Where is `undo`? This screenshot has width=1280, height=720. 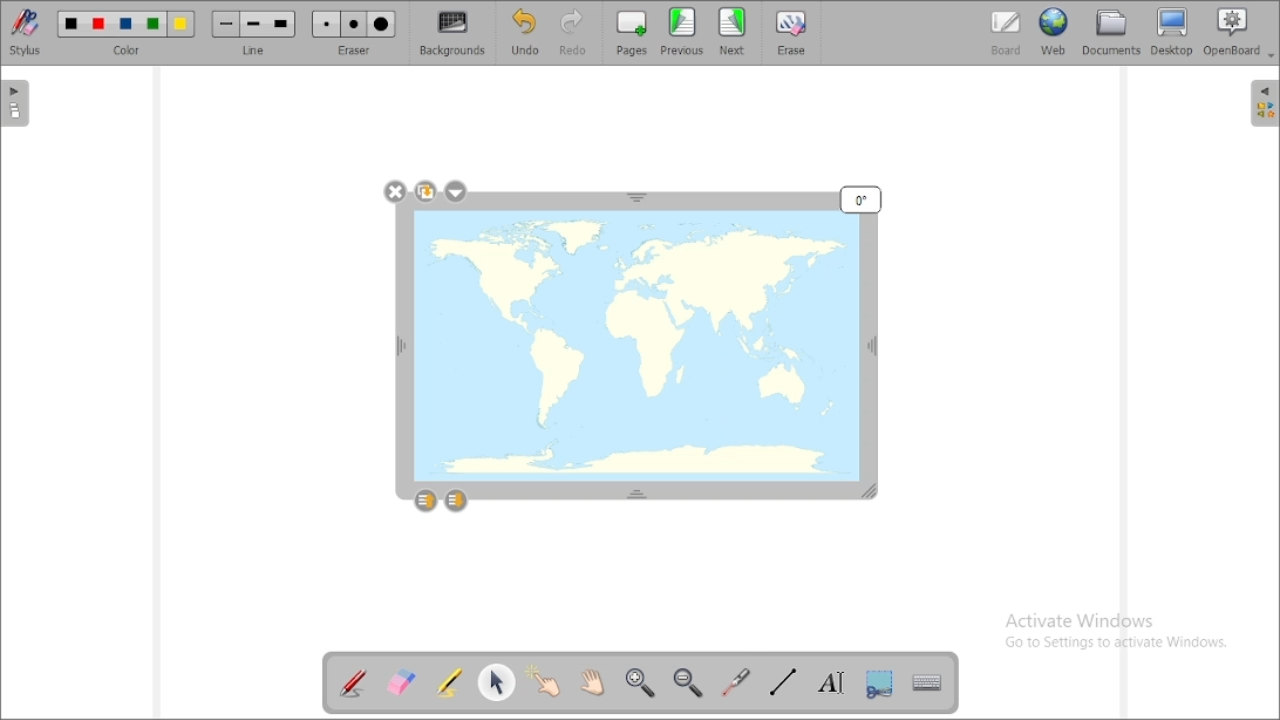 undo is located at coordinates (527, 32).